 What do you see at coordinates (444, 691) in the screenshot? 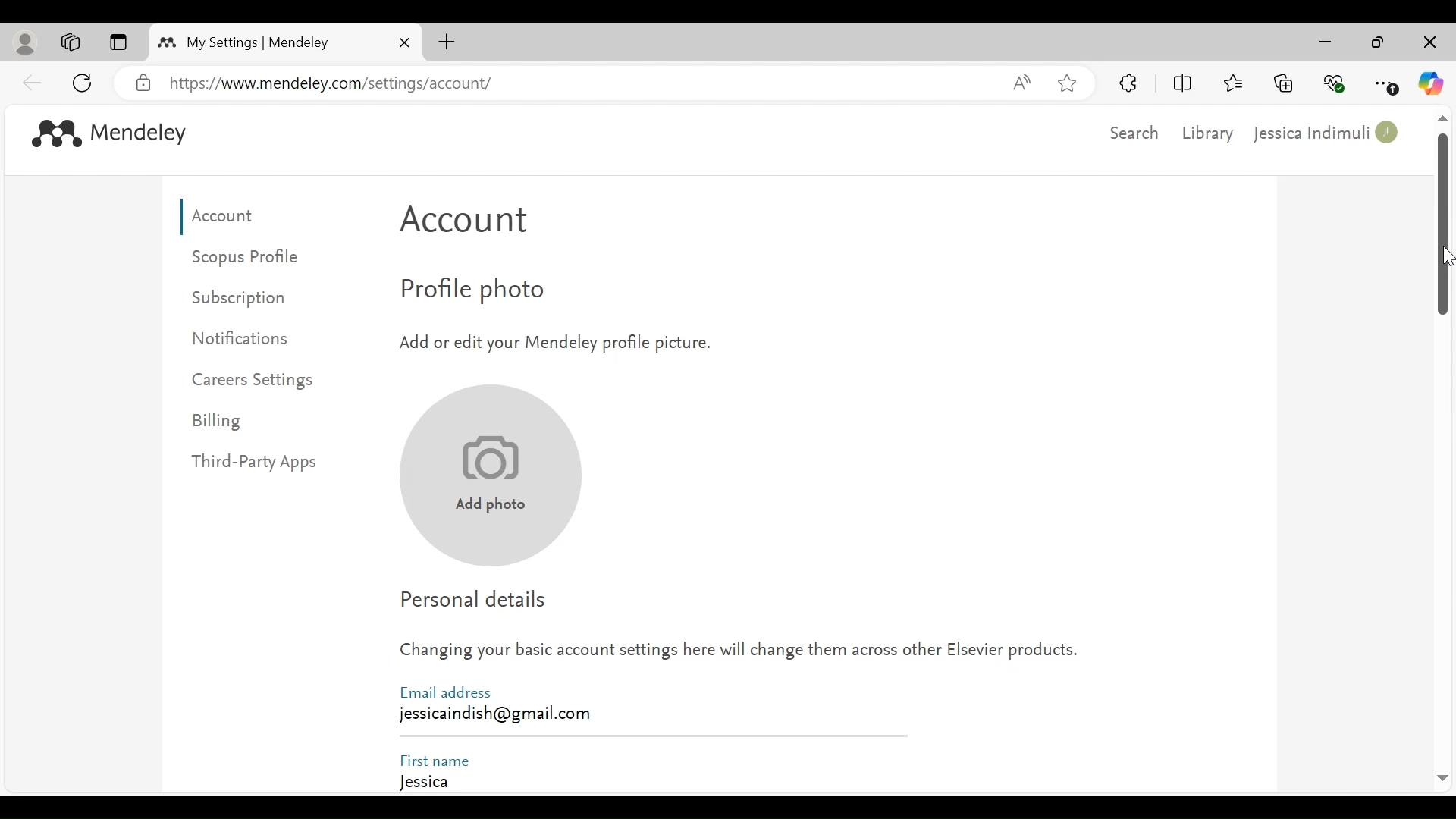
I see `Email Address` at bounding box center [444, 691].